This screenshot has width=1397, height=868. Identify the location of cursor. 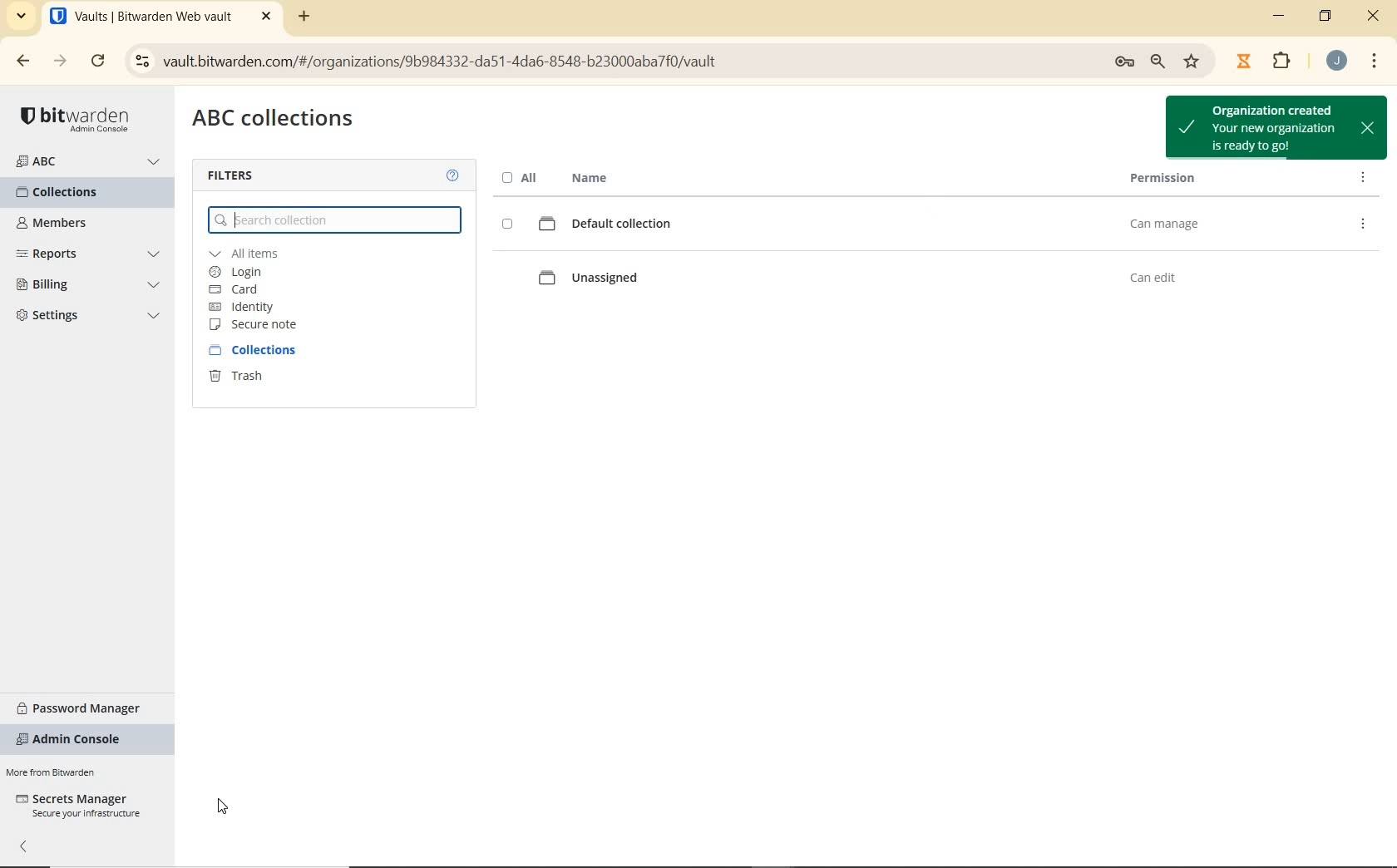
(237, 216).